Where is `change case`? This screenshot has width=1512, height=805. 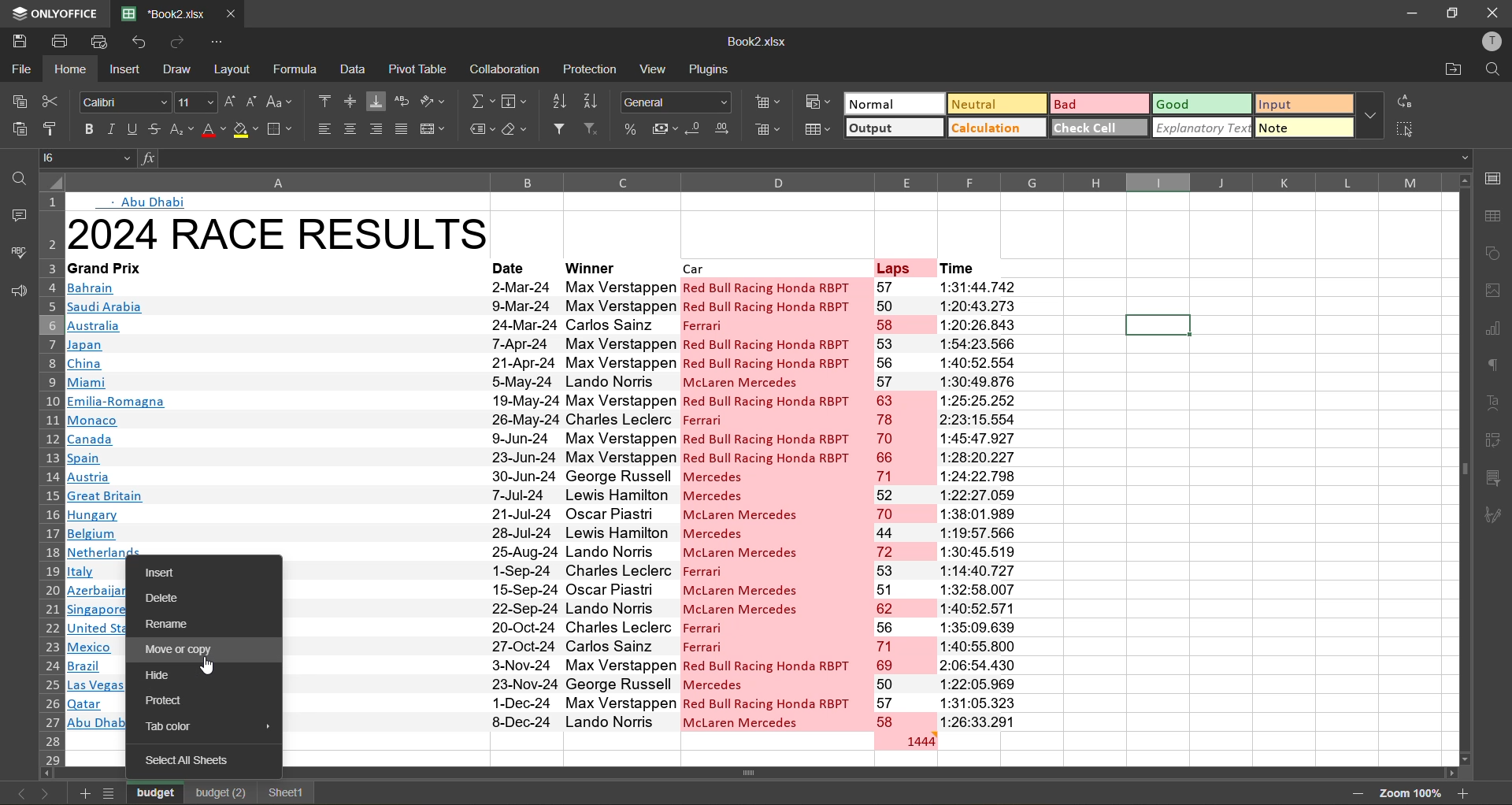 change case is located at coordinates (283, 101).